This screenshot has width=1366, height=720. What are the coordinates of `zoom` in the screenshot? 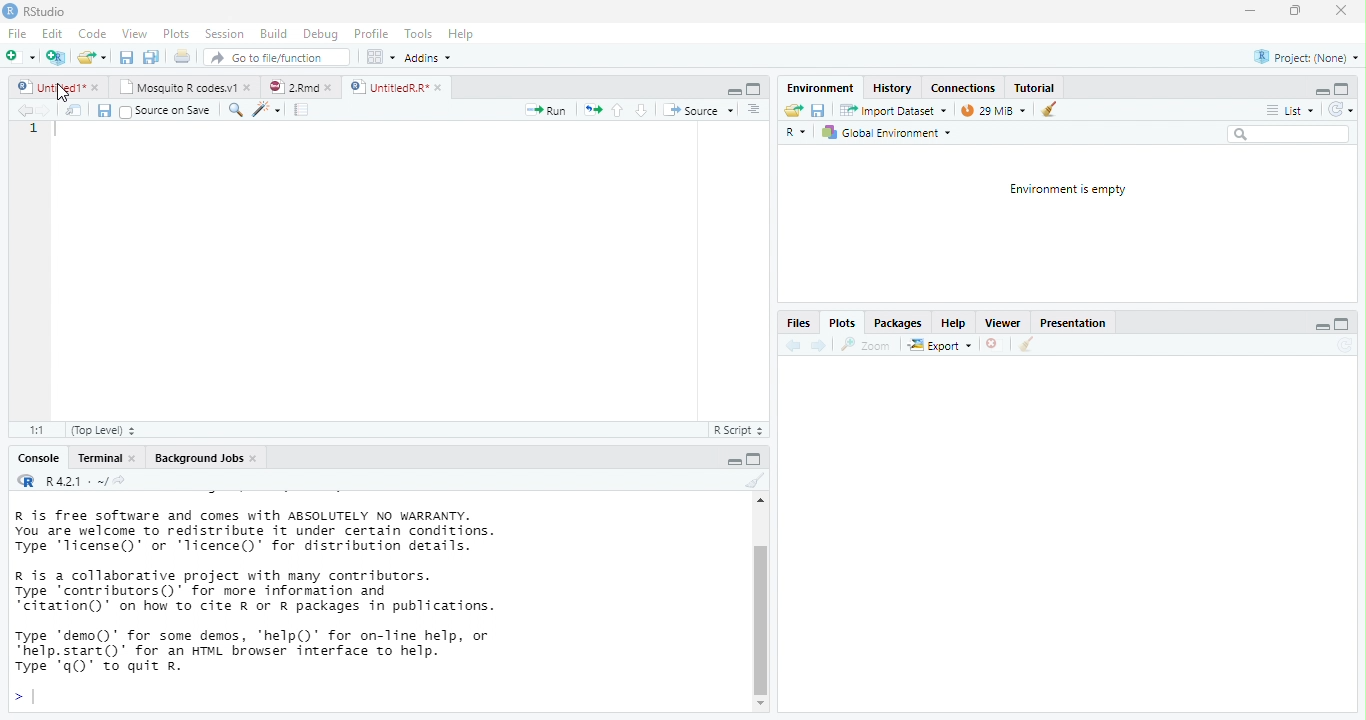 It's located at (869, 345).